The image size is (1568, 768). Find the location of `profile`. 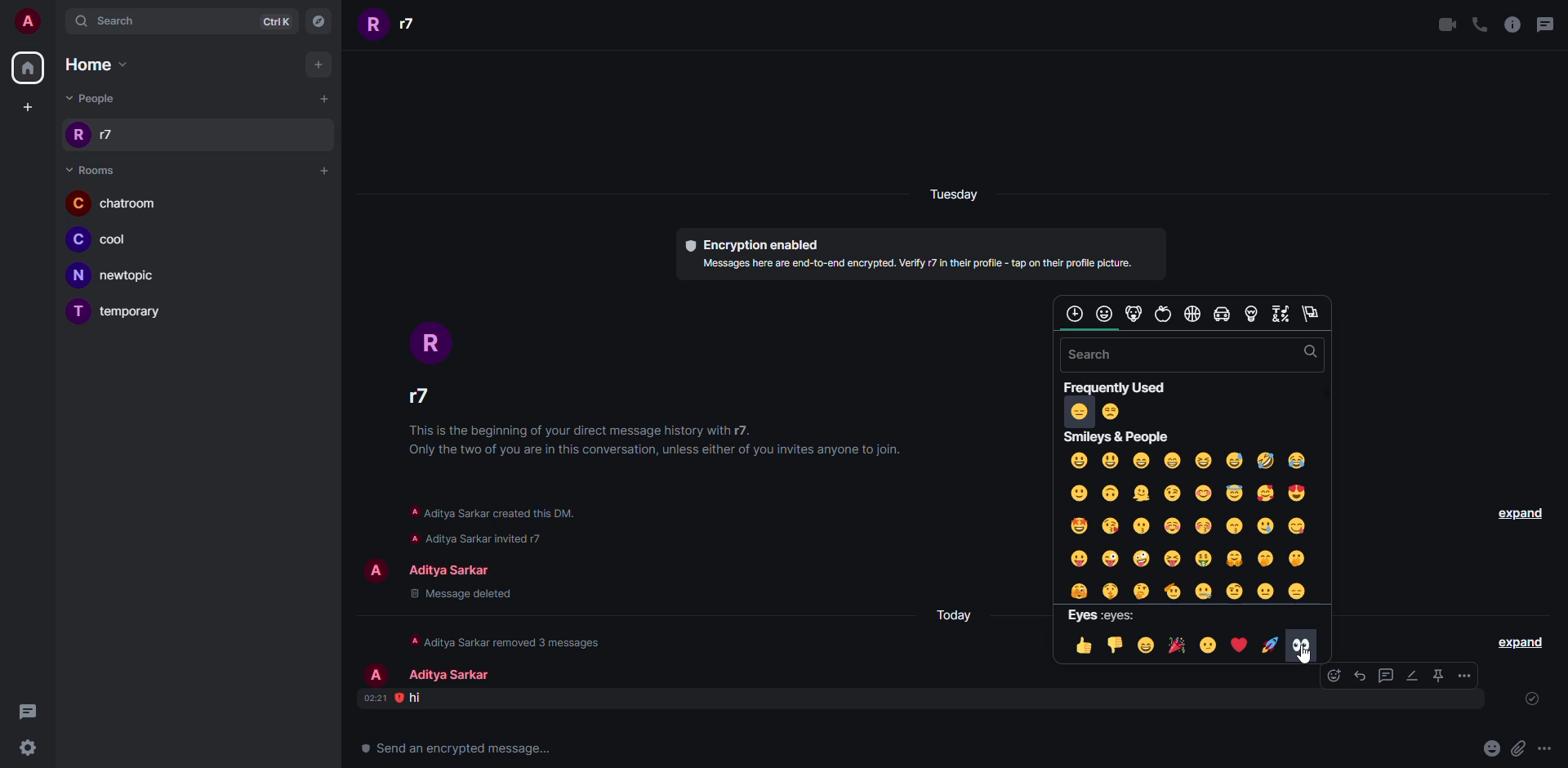

profile is located at coordinates (376, 675).